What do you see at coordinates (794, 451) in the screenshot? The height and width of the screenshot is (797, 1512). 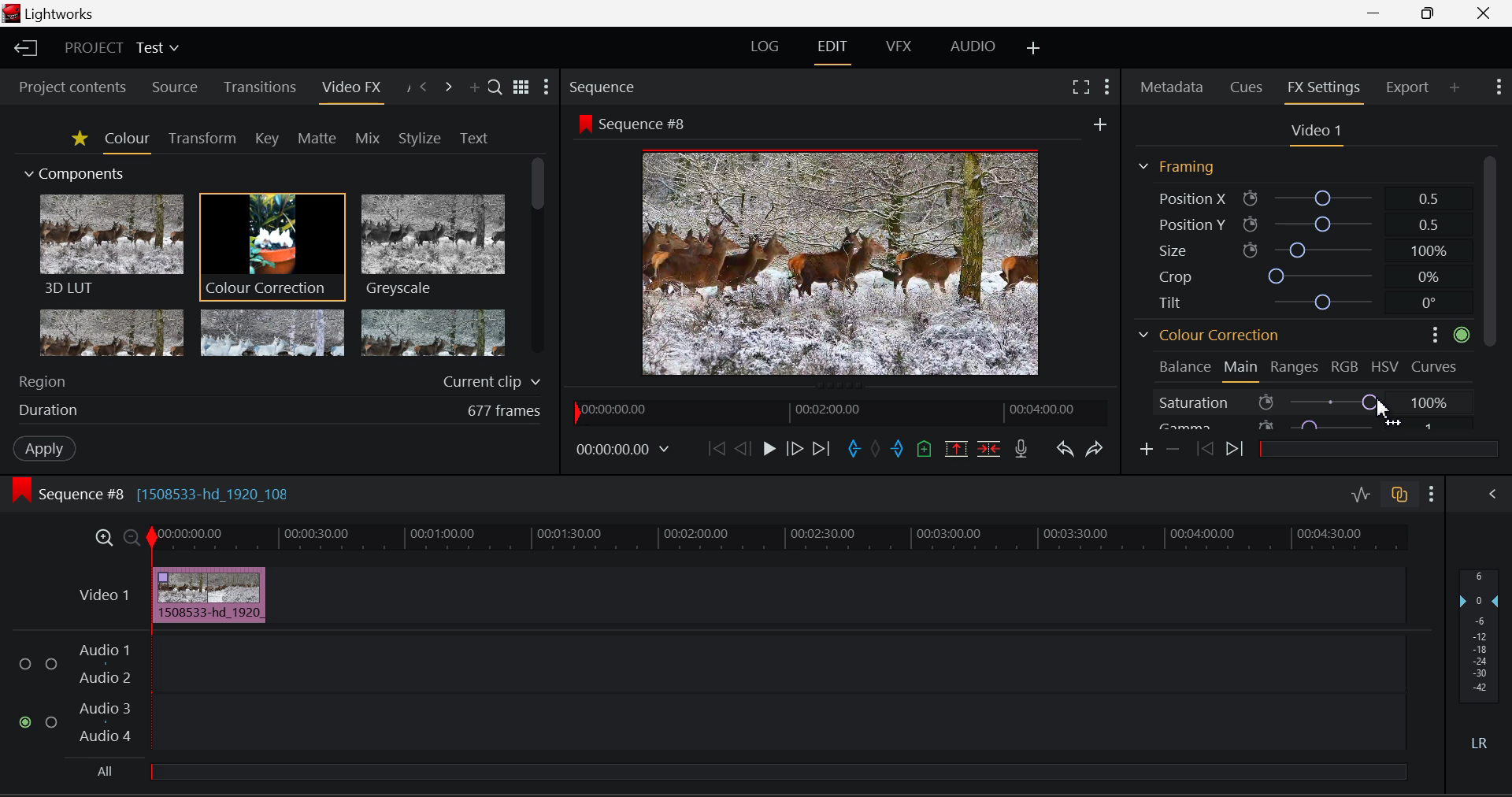 I see `Go Forward` at bounding box center [794, 451].